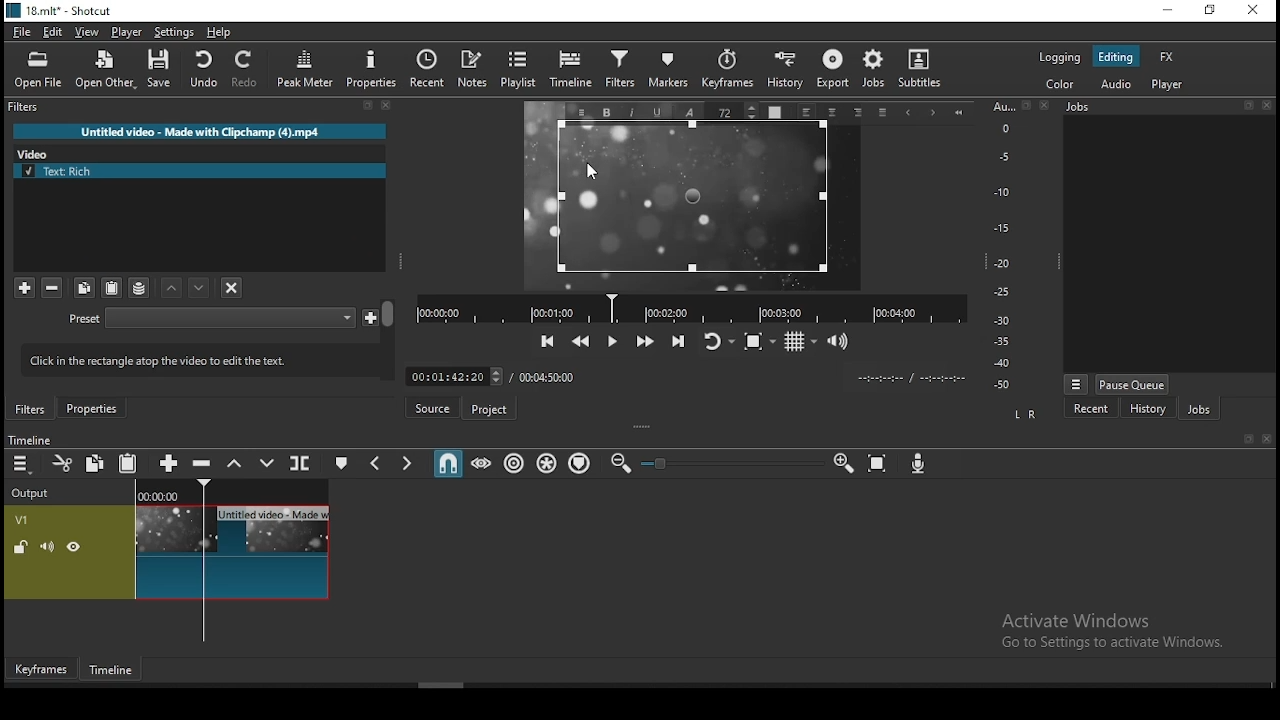  Describe the element at coordinates (1198, 408) in the screenshot. I see `jobs` at that location.